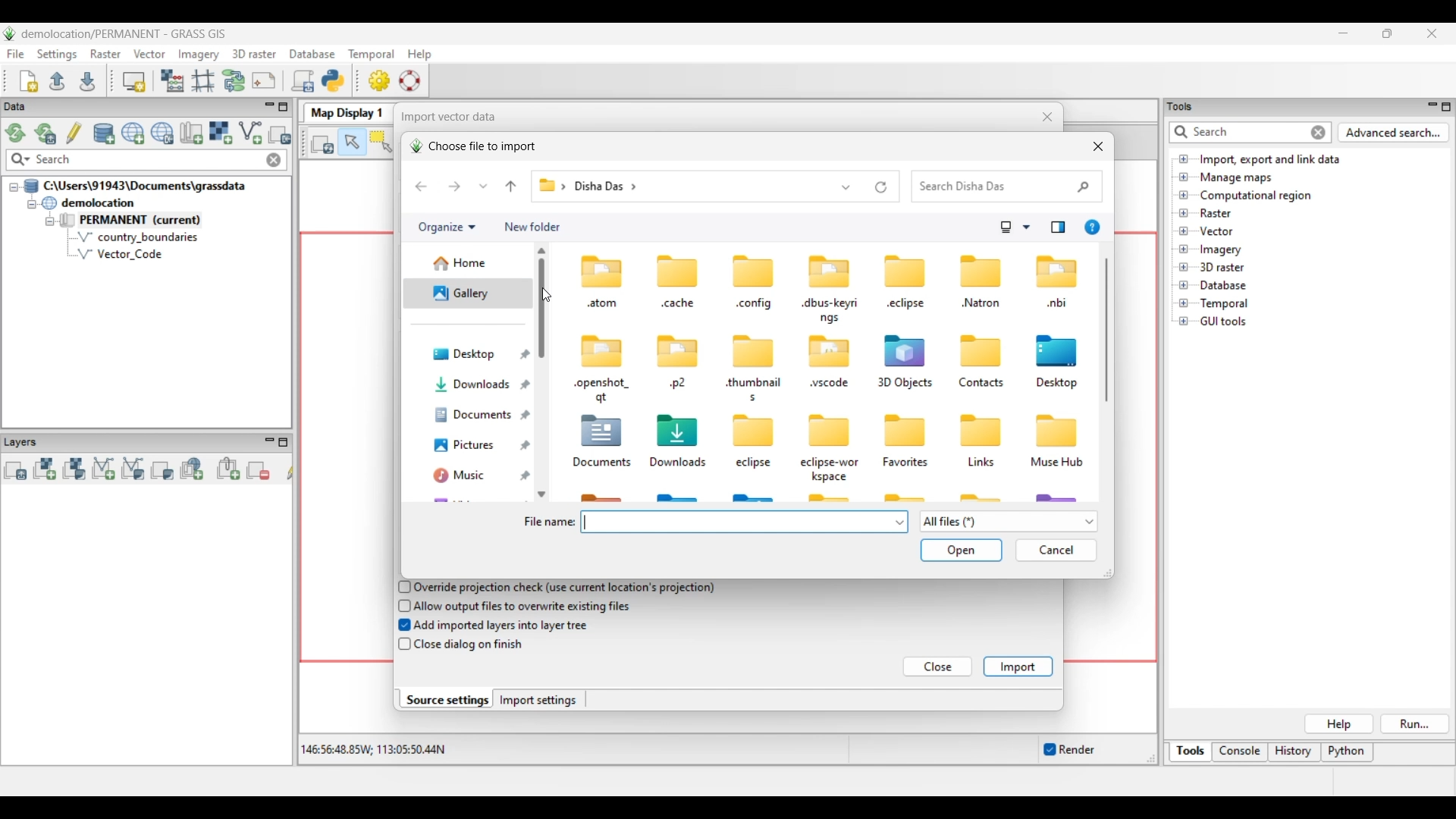 The height and width of the screenshot is (819, 1456). What do you see at coordinates (1184, 158) in the screenshot?
I see `Click to open files under Import, export and link data` at bounding box center [1184, 158].